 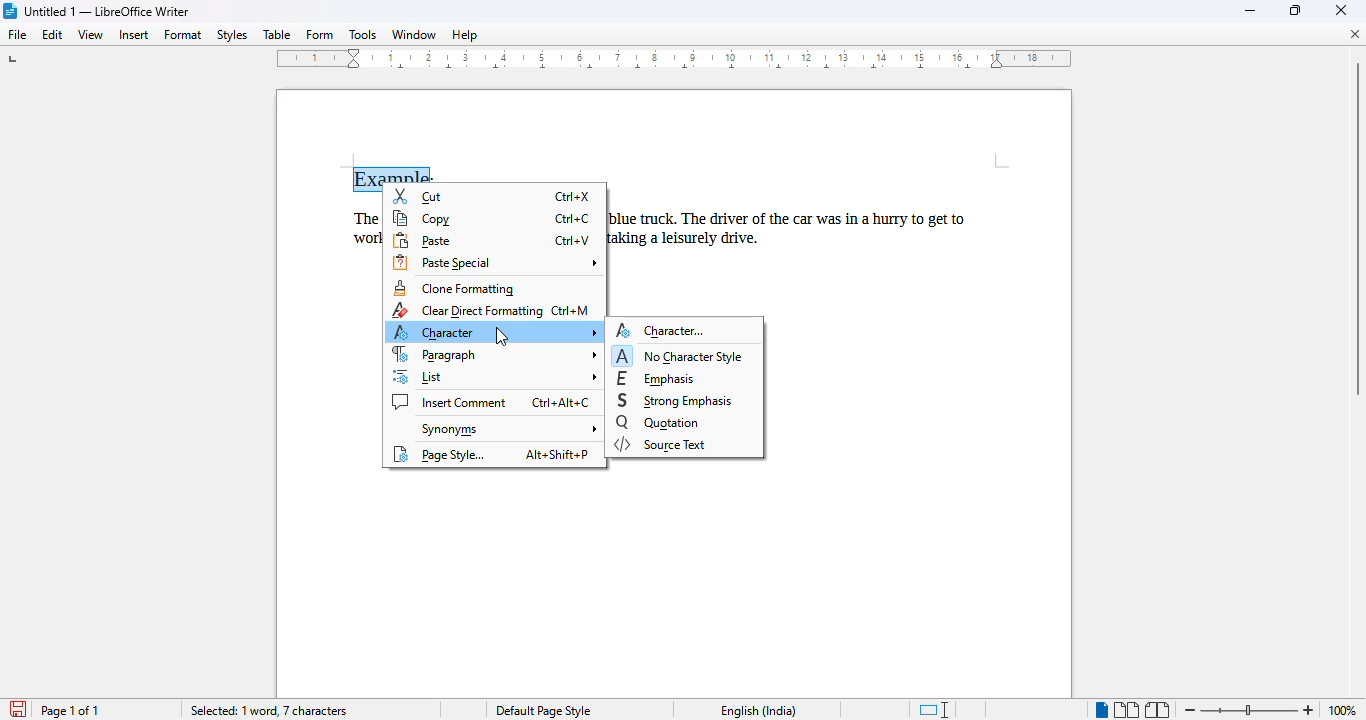 What do you see at coordinates (679, 62) in the screenshot?
I see `ruler` at bounding box center [679, 62].